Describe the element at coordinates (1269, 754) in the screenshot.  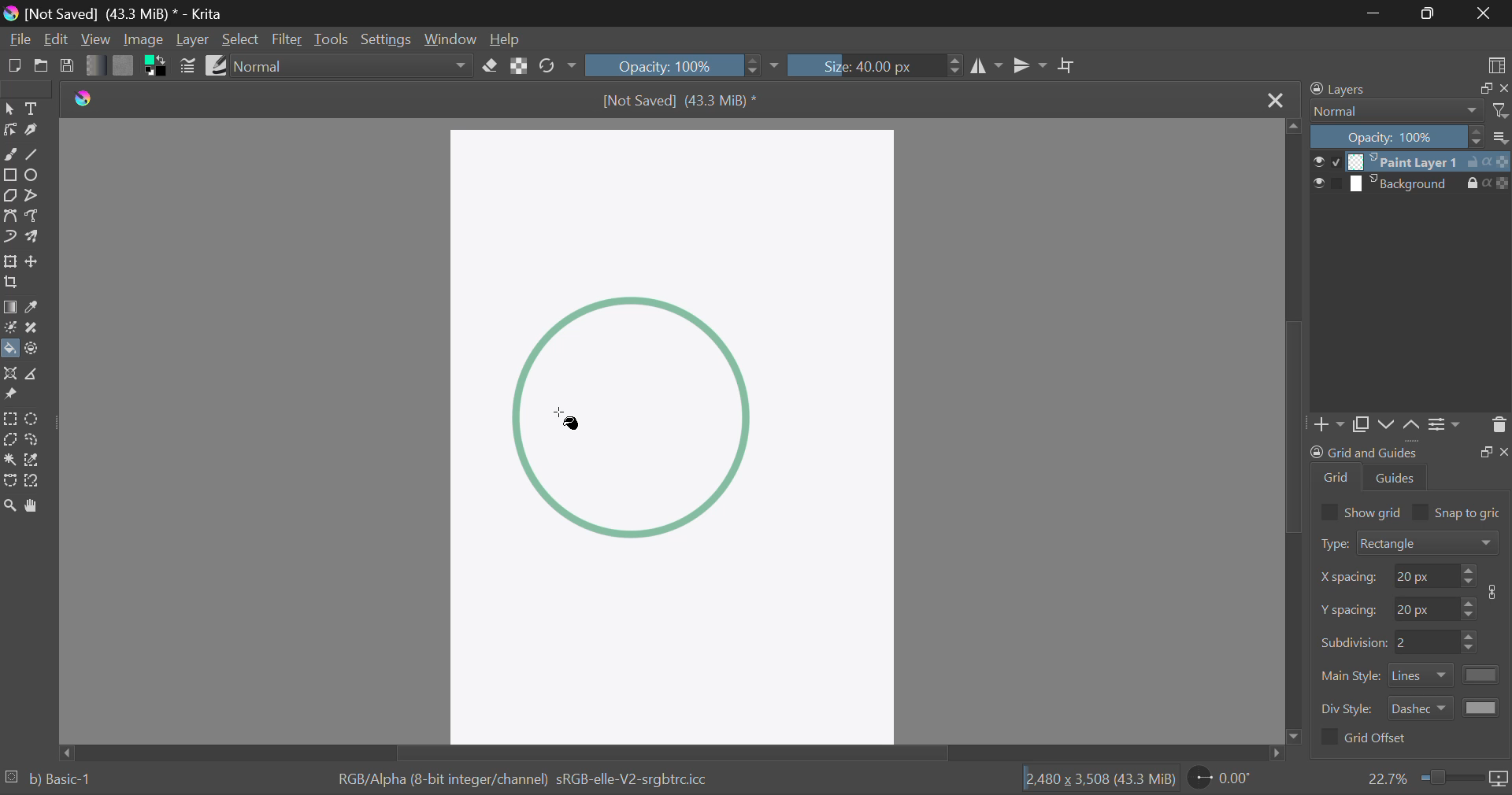
I see `move right` at that location.